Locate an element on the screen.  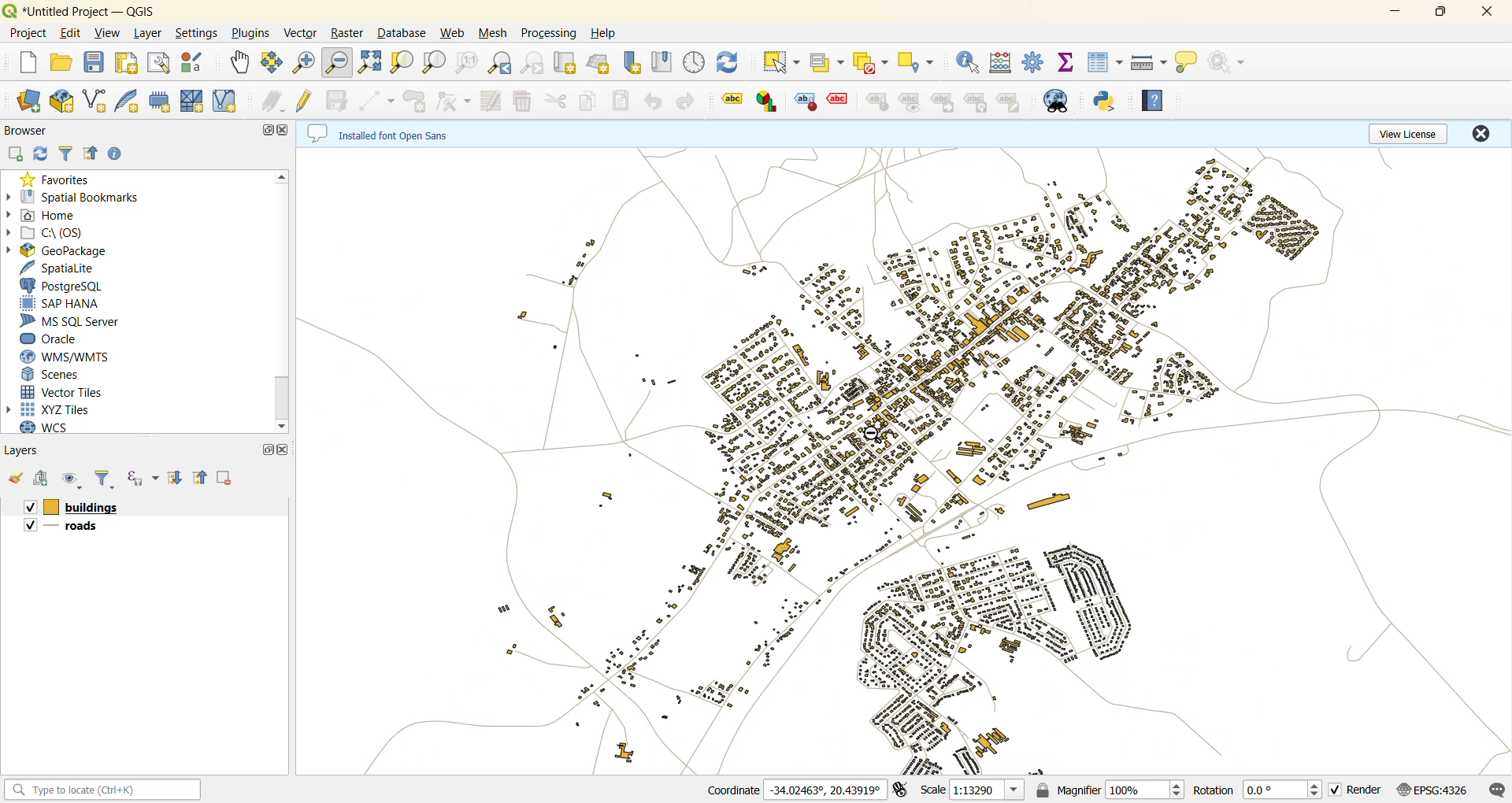
temporary scratch layer is located at coordinates (163, 102).